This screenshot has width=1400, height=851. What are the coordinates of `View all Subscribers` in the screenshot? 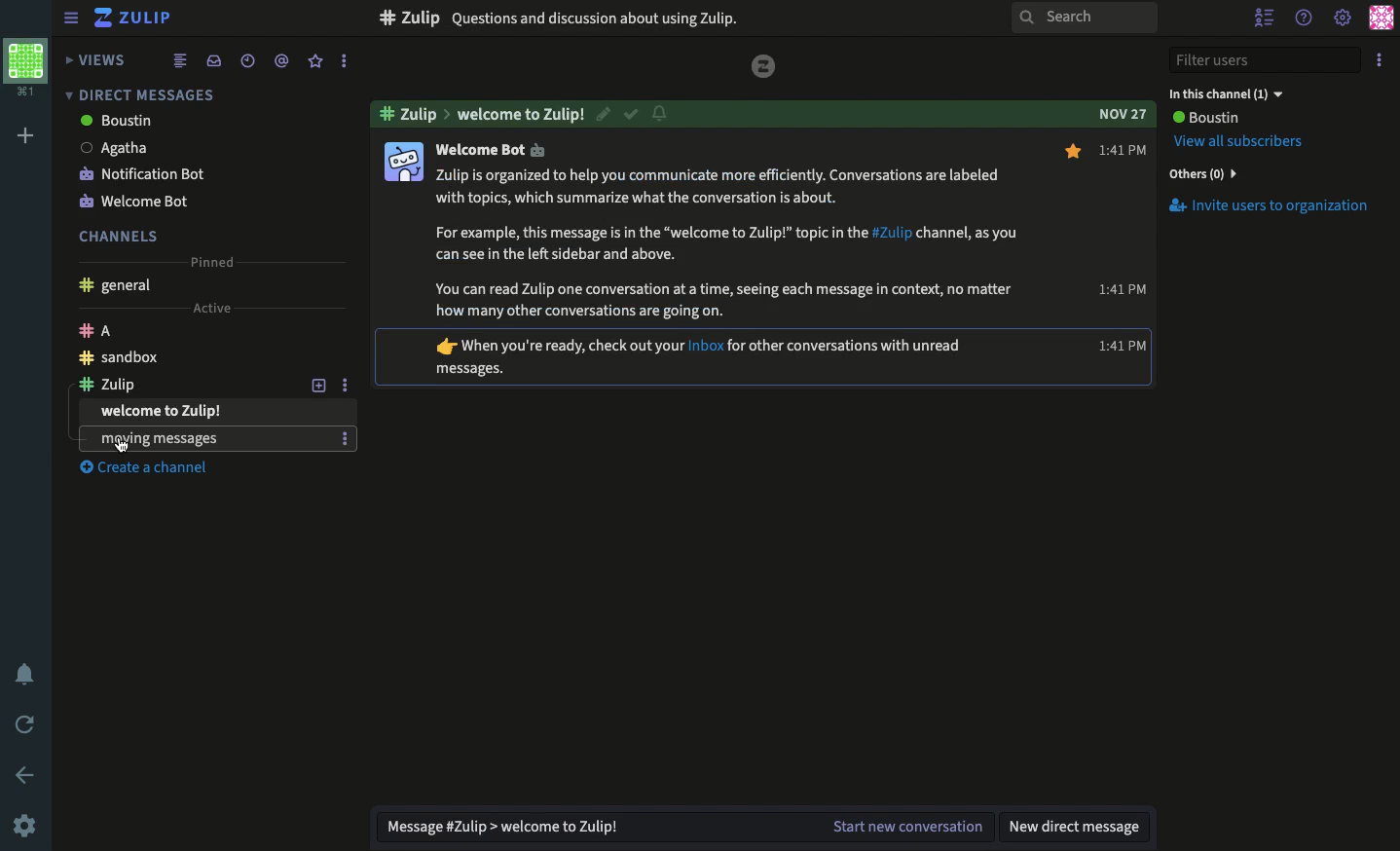 It's located at (1242, 141).